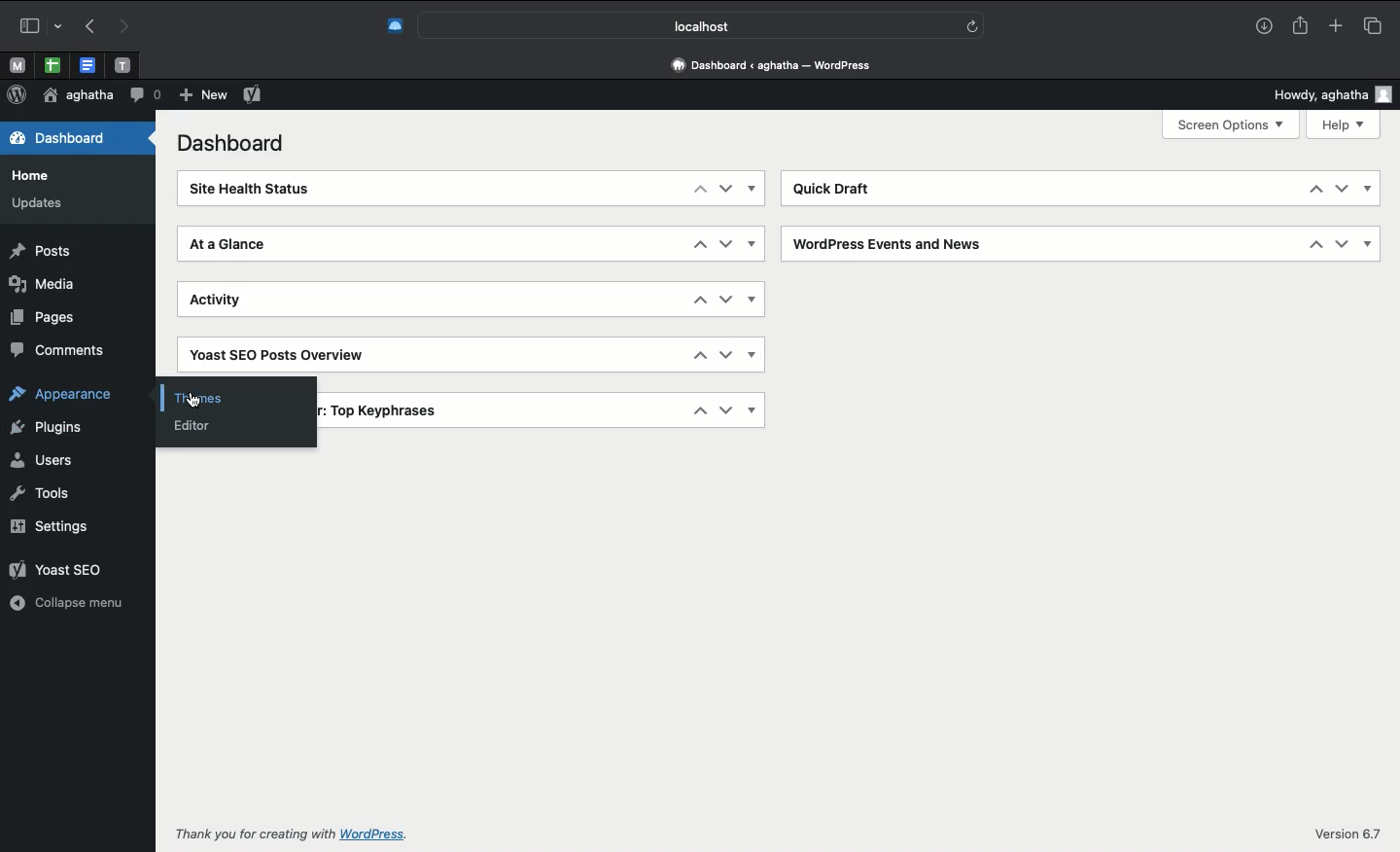 The width and height of the screenshot is (1400, 852). I want to click on , so click(725, 300).